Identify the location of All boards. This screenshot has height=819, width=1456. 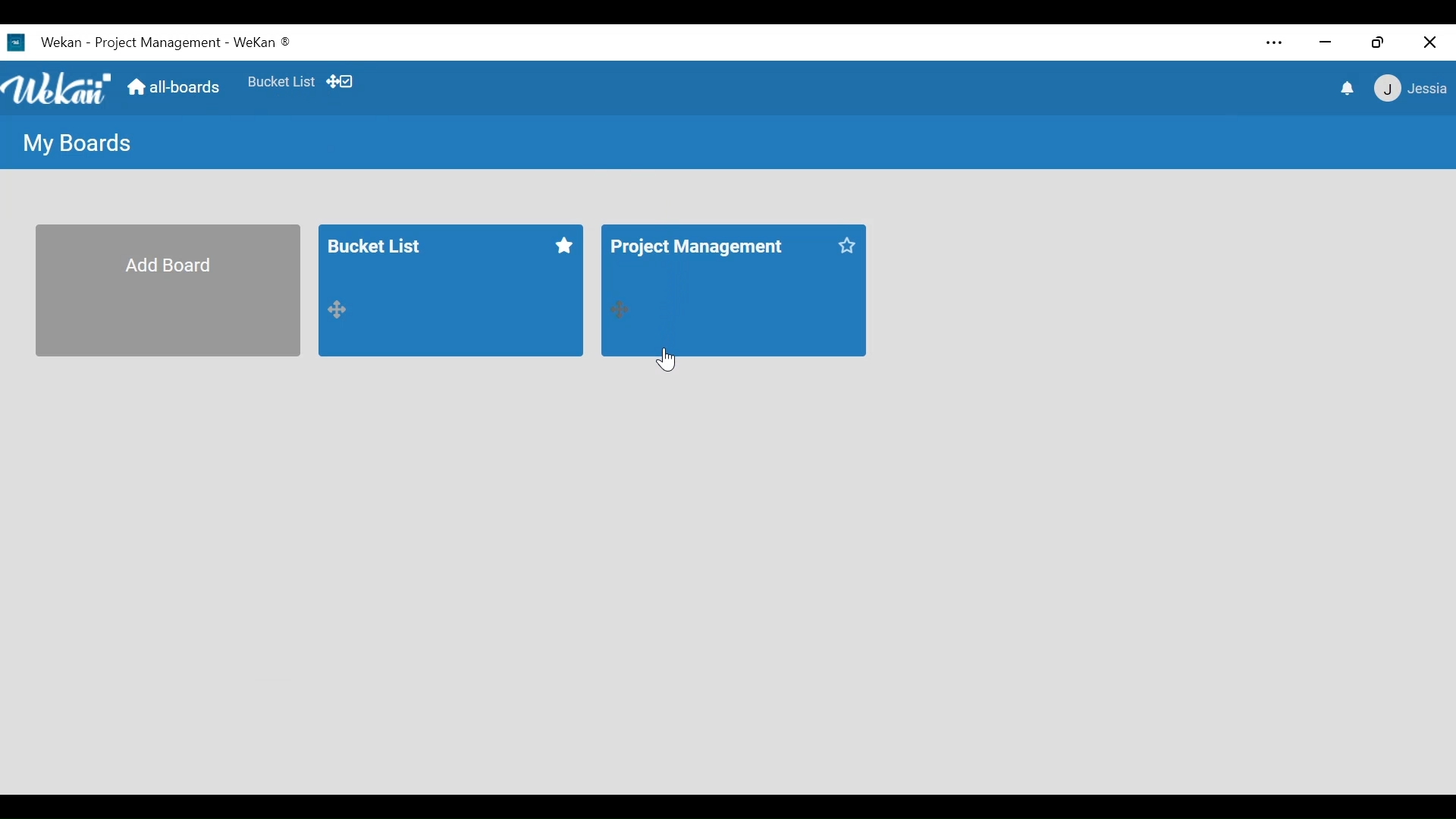
(592, 291).